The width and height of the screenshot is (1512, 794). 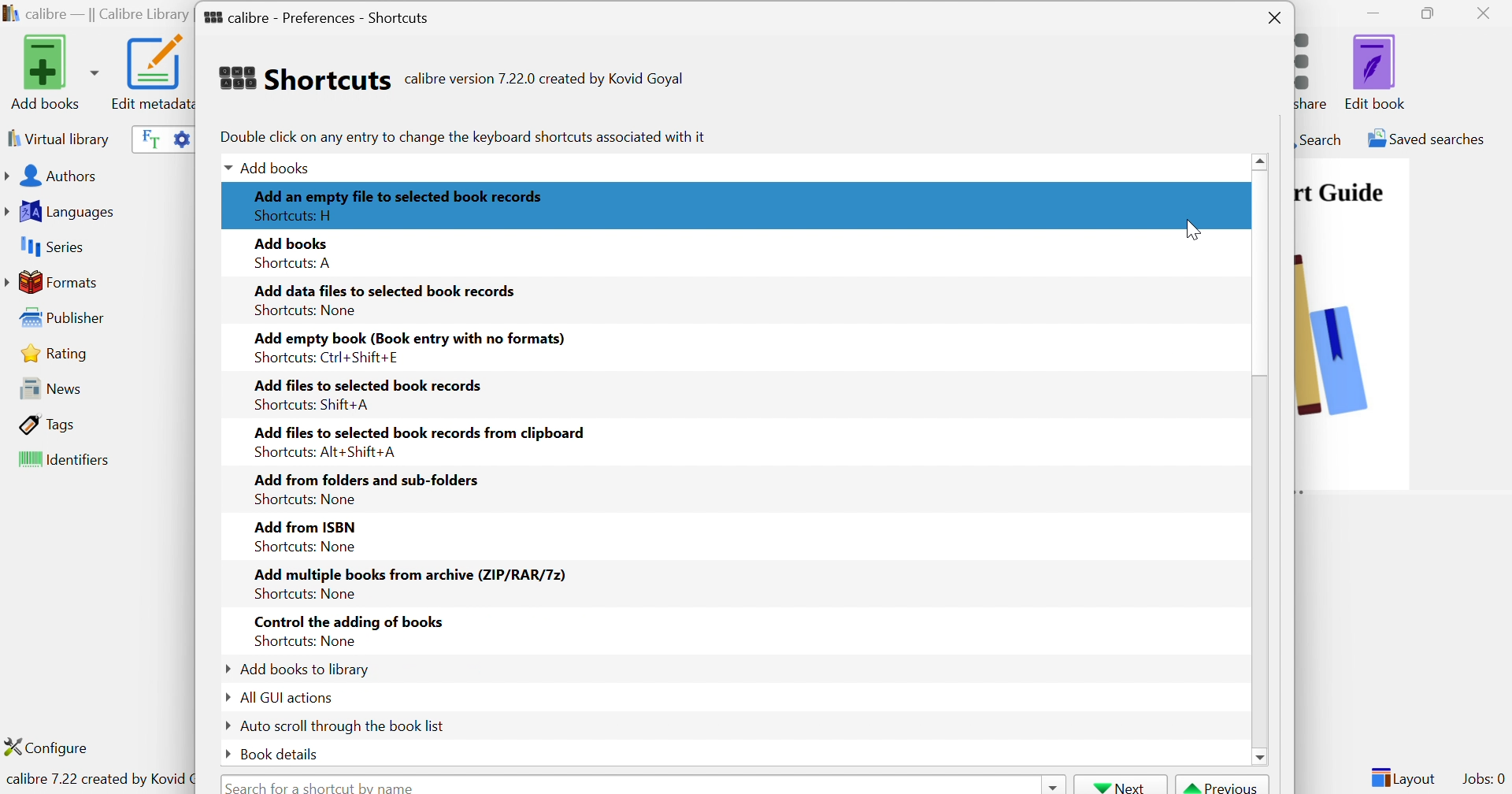 I want to click on Languages, so click(x=62, y=212).